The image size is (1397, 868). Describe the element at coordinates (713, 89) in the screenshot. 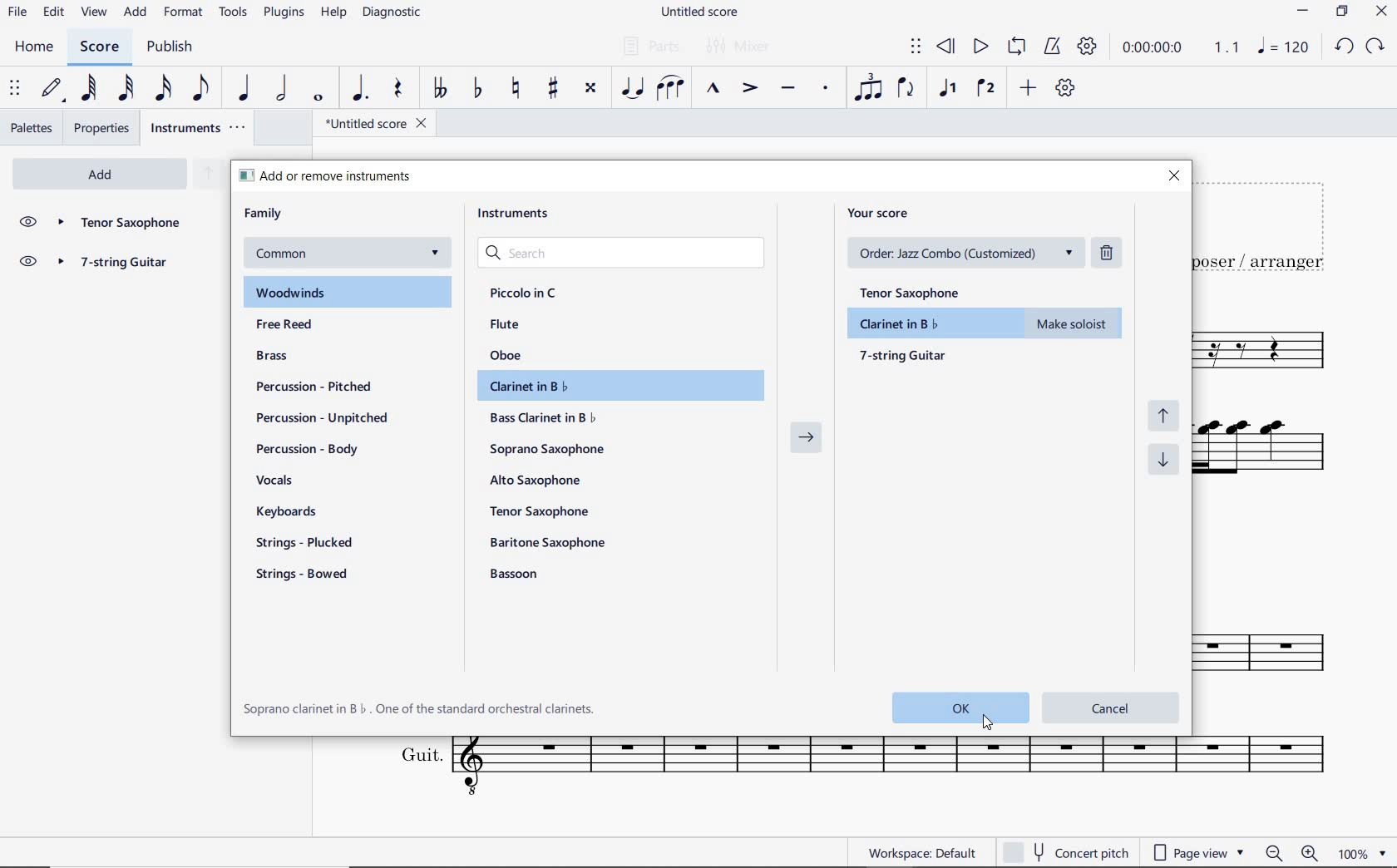

I see `MARCATO` at that location.